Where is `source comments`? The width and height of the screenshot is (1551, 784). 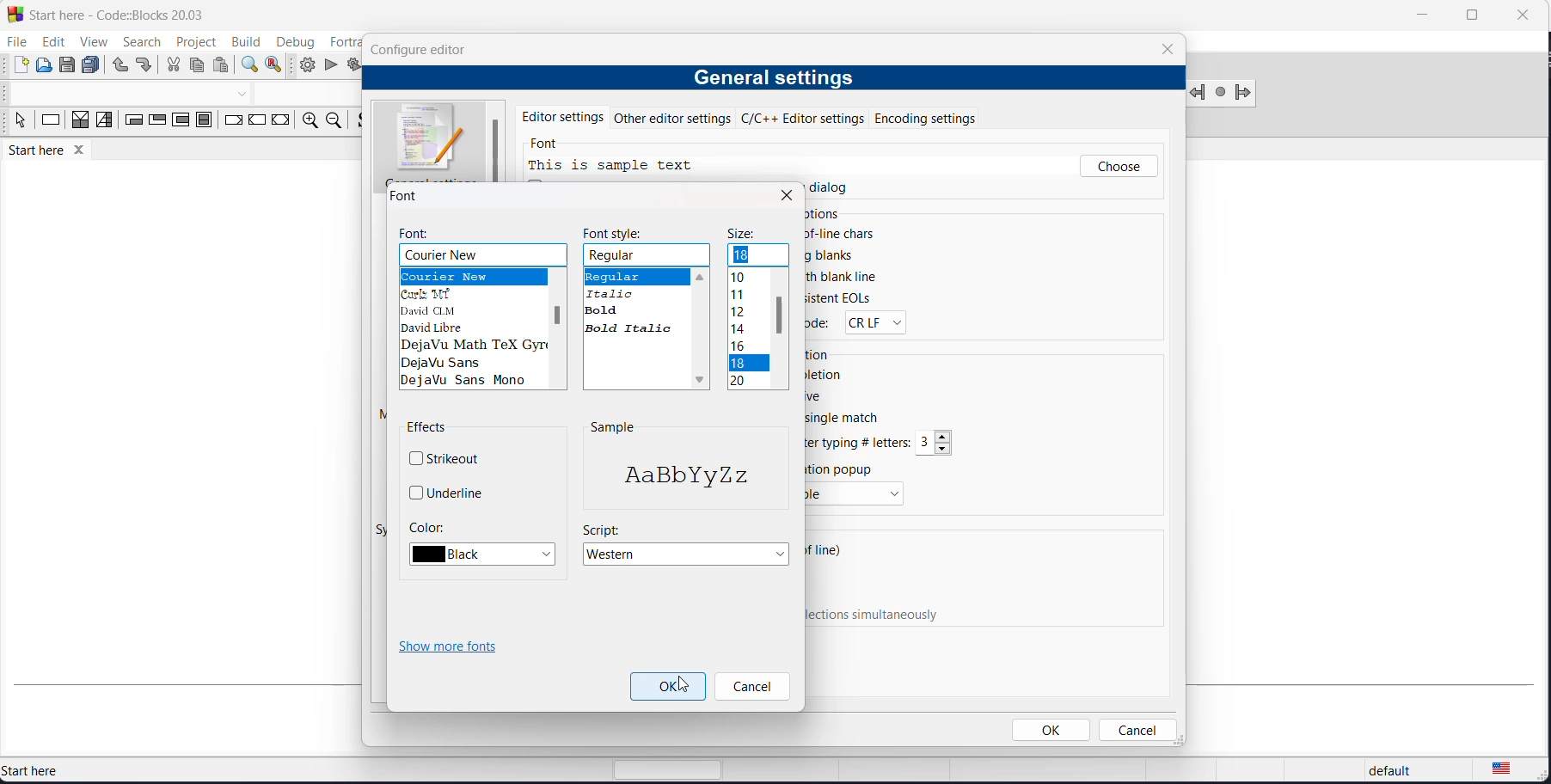 source comments is located at coordinates (359, 123).